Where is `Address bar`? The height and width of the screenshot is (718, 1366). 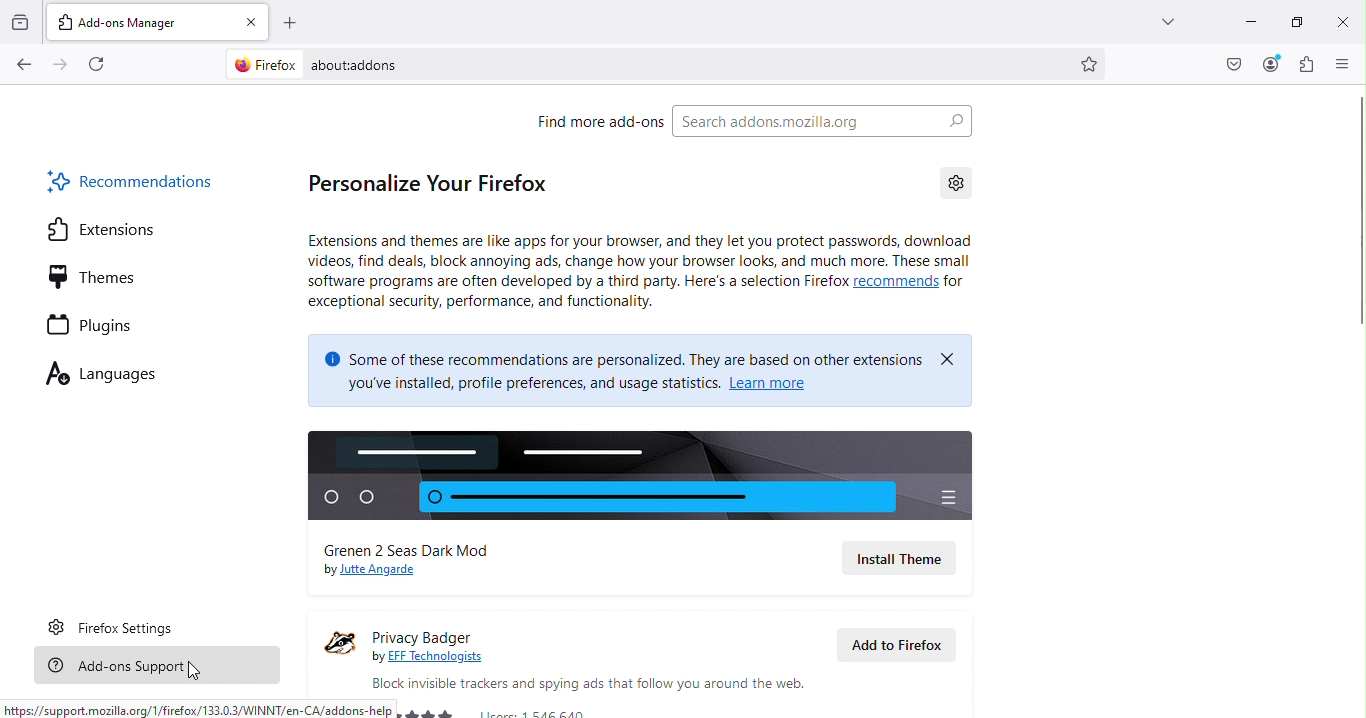
Address bar is located at coordinates (693, 65).